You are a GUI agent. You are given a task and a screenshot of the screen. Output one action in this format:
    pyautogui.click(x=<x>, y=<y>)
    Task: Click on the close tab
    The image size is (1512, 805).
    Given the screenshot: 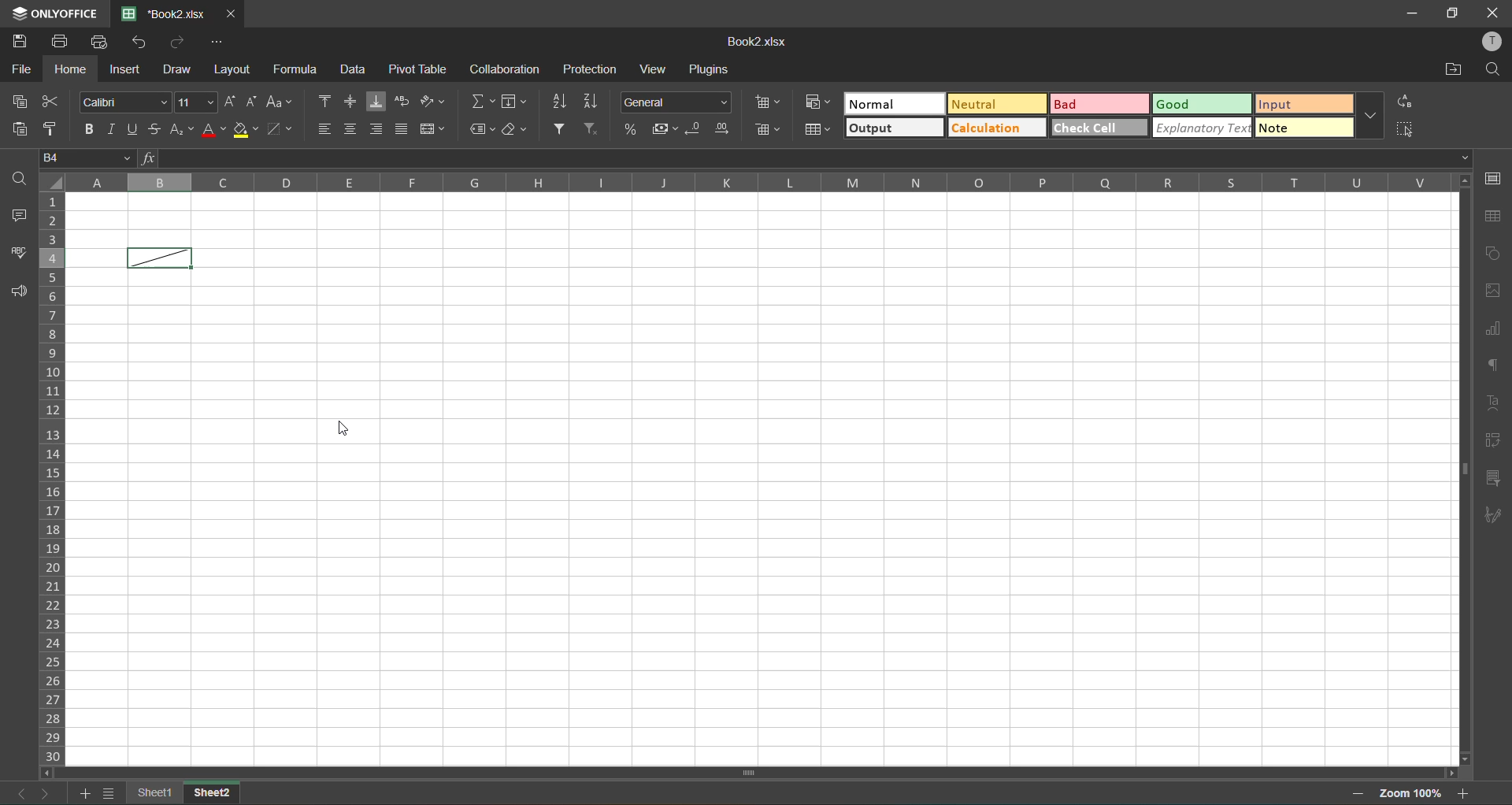 What is the action you would take?
    pyautogui.click(x=230, y=14)
    